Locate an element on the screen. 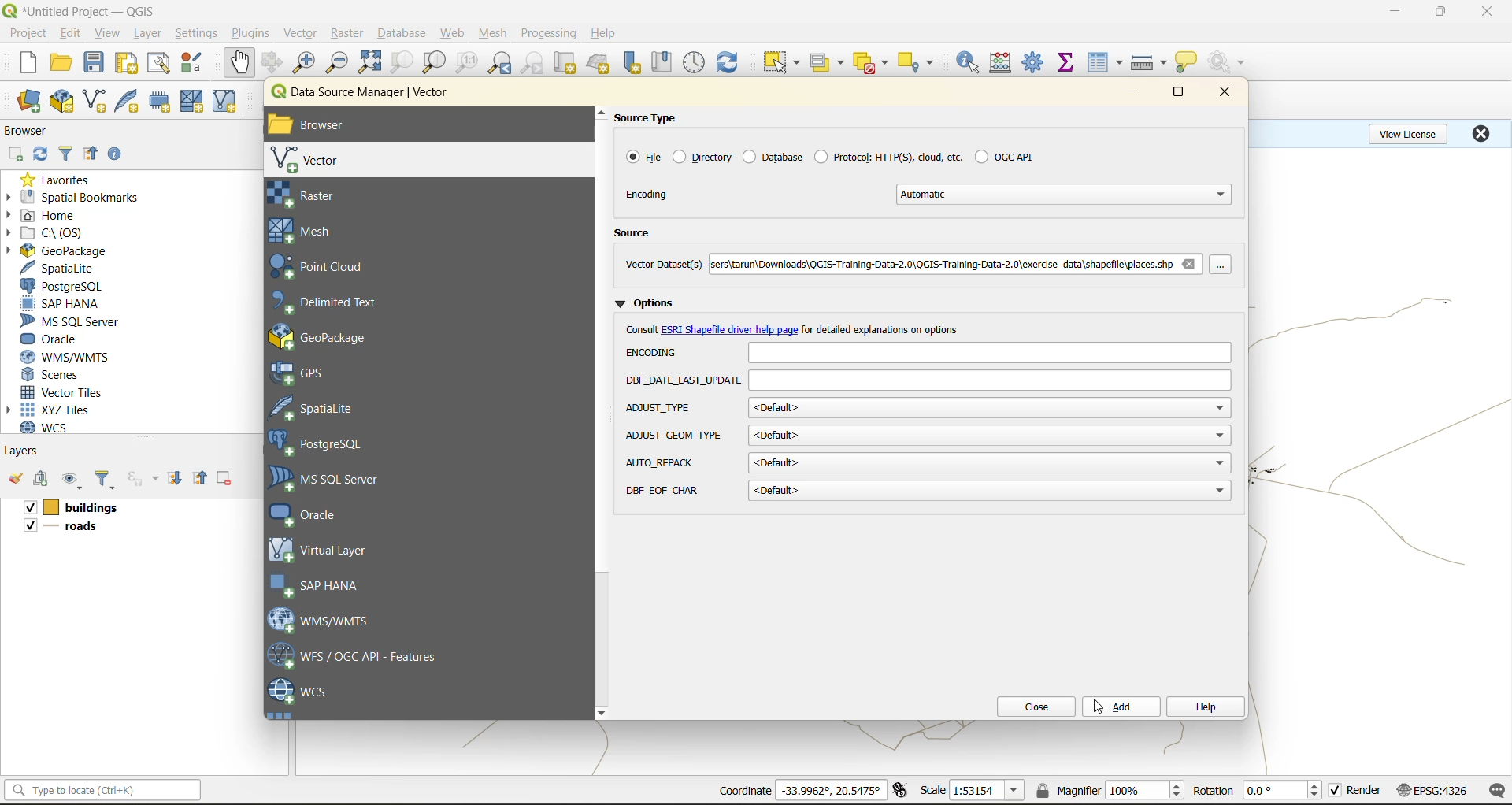  gps is located at coordinates (309, 373).